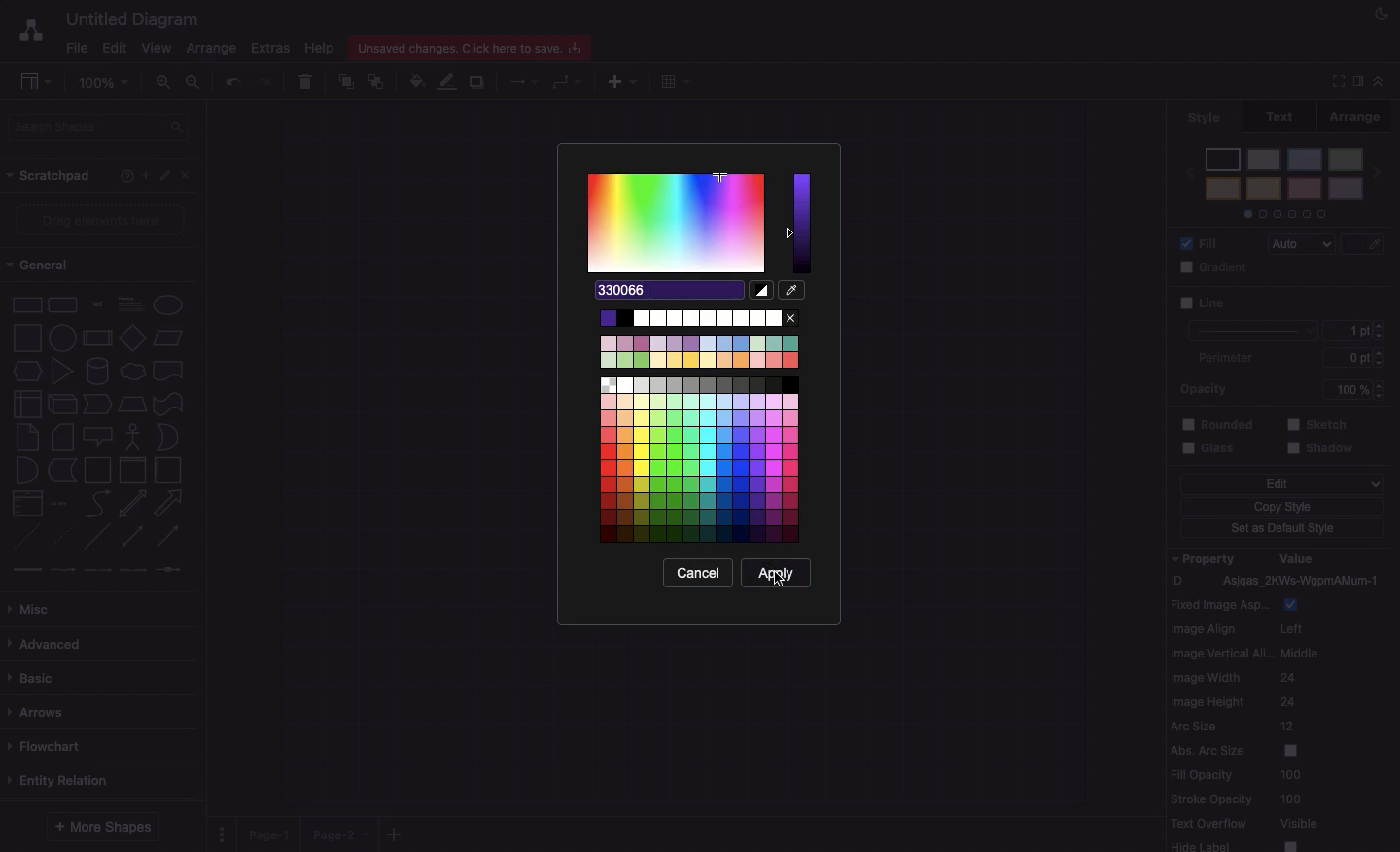 Image resolution: width=1400 pixels, height=852 pixels. I want to click on bidirectional connector, so click(131, 536).